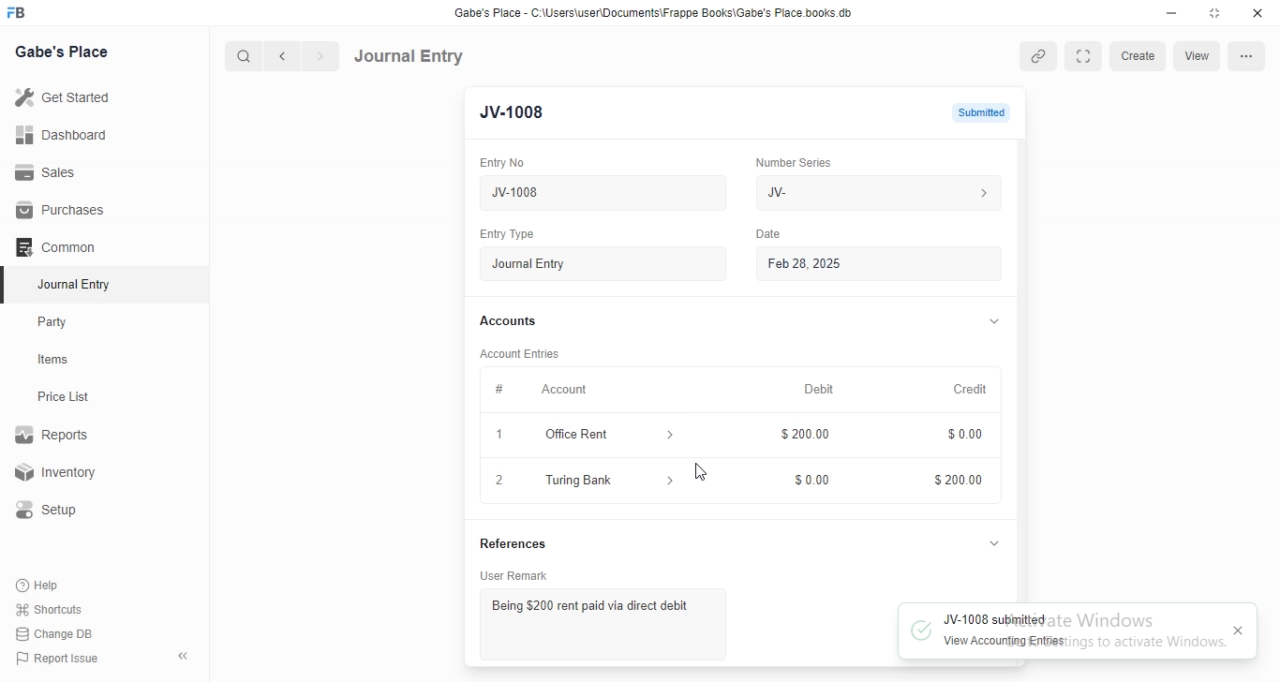 This screenshot has width=1280, height=682. Describe the element at coordinates (669, 12) in the screenshot. I see `‘Gabe's Place - C\UsersiuserDocuments\Frappe Books\Gabe's Place books db` at that location.